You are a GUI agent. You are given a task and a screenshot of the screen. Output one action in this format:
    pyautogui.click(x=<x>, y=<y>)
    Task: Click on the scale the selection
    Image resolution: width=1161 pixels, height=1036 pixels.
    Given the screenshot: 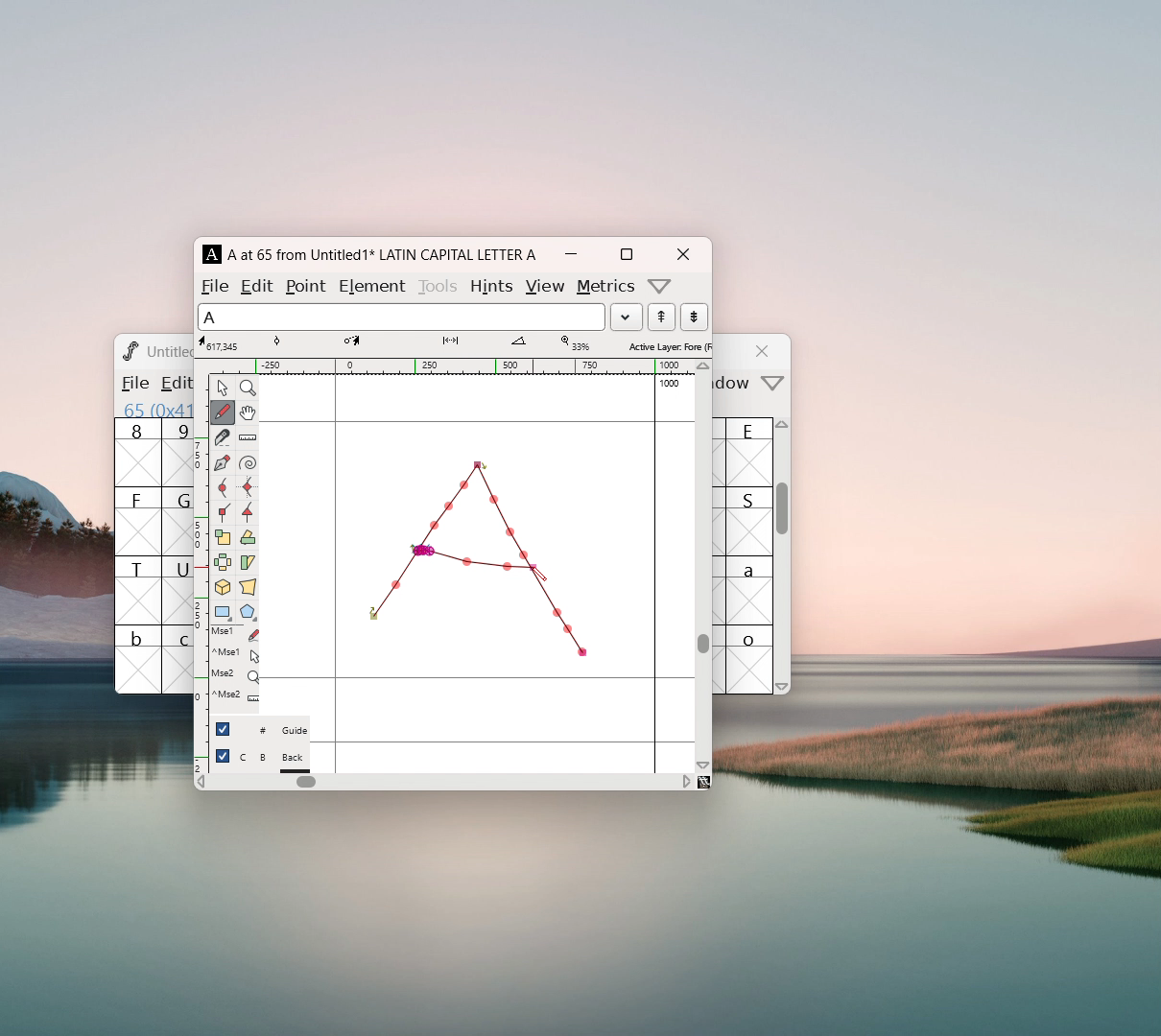 What is the action you would take?
    pyautogui.click(x=223, y=538)
    